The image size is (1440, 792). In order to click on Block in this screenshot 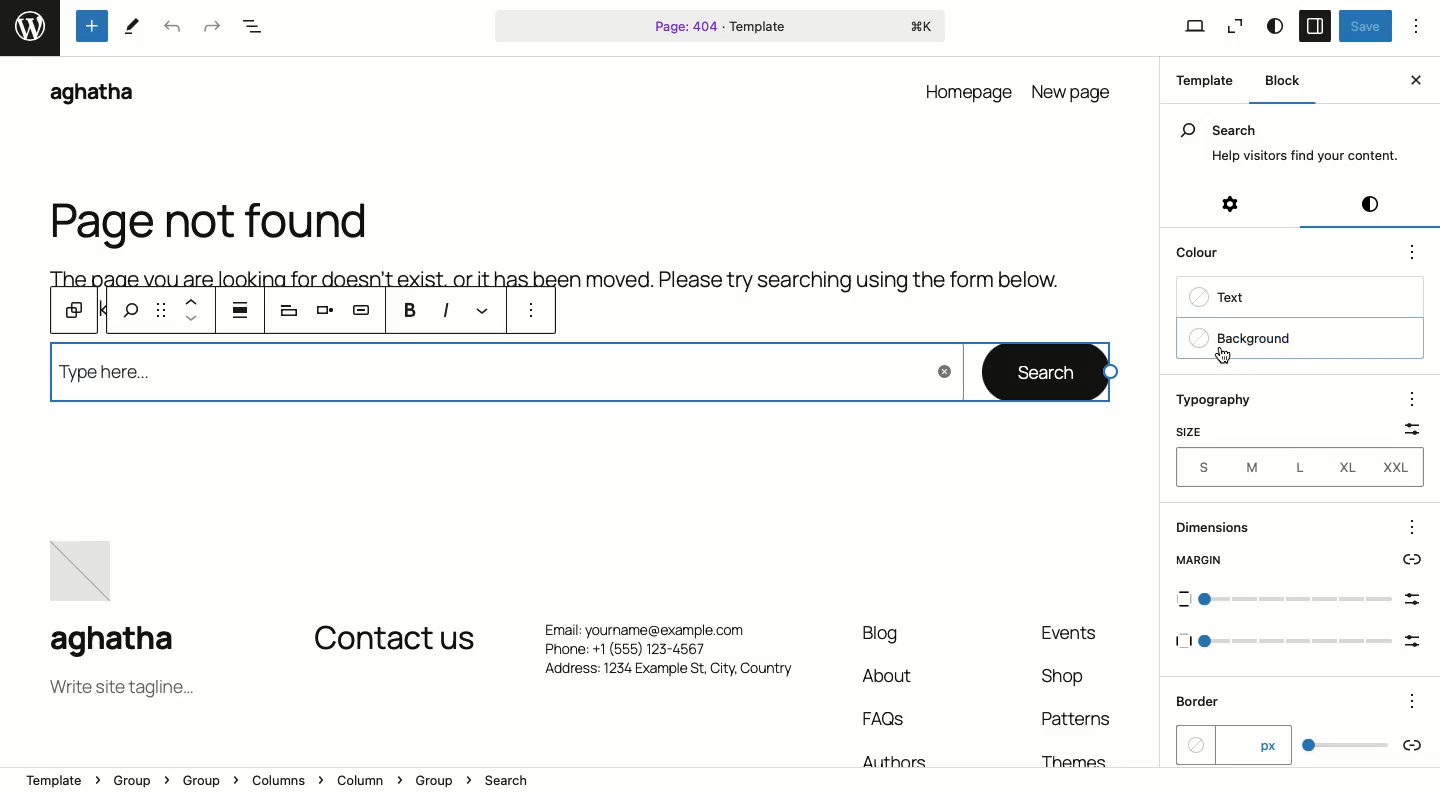, I will do `click(76, 309)`.